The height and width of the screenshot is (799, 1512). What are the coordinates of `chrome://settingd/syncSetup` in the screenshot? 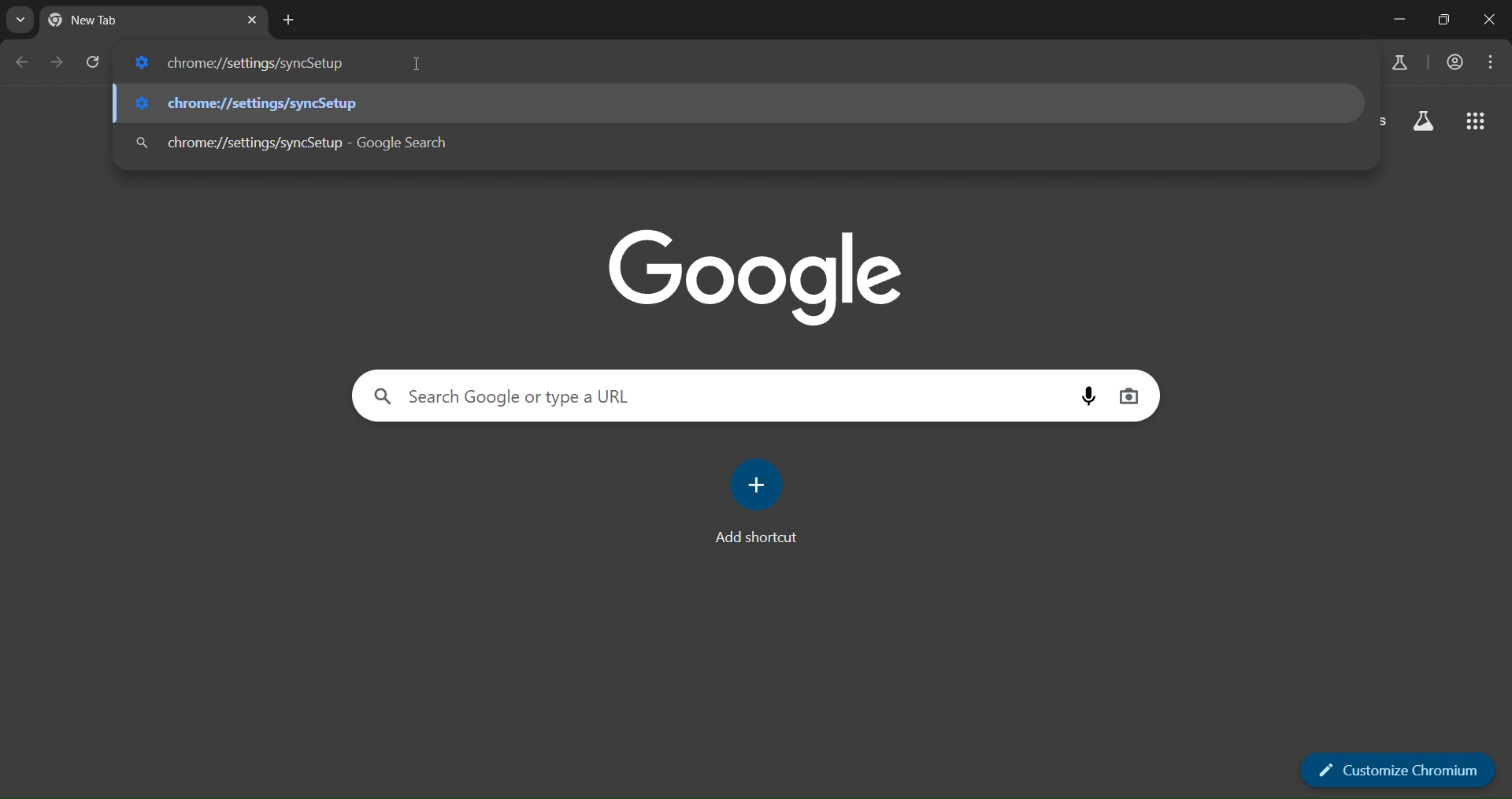 It's located at (243, 65).